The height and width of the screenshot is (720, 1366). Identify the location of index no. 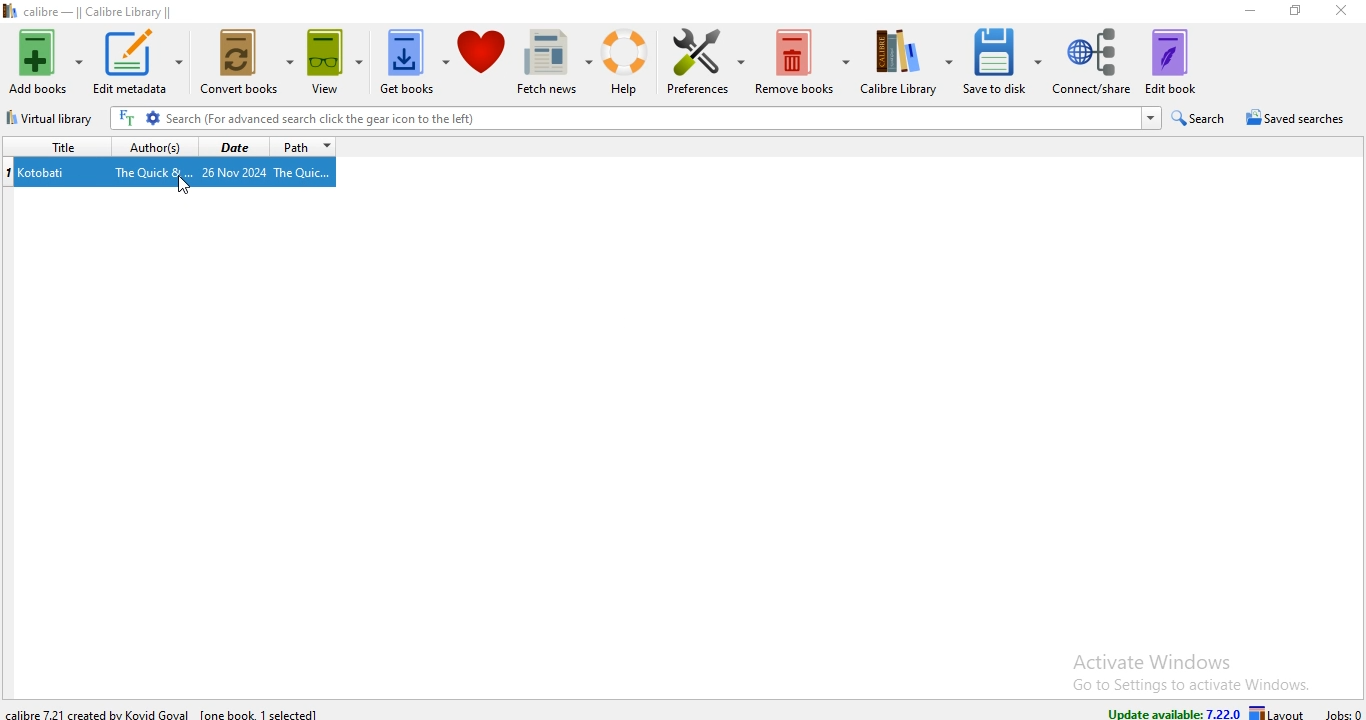
(9, 172).